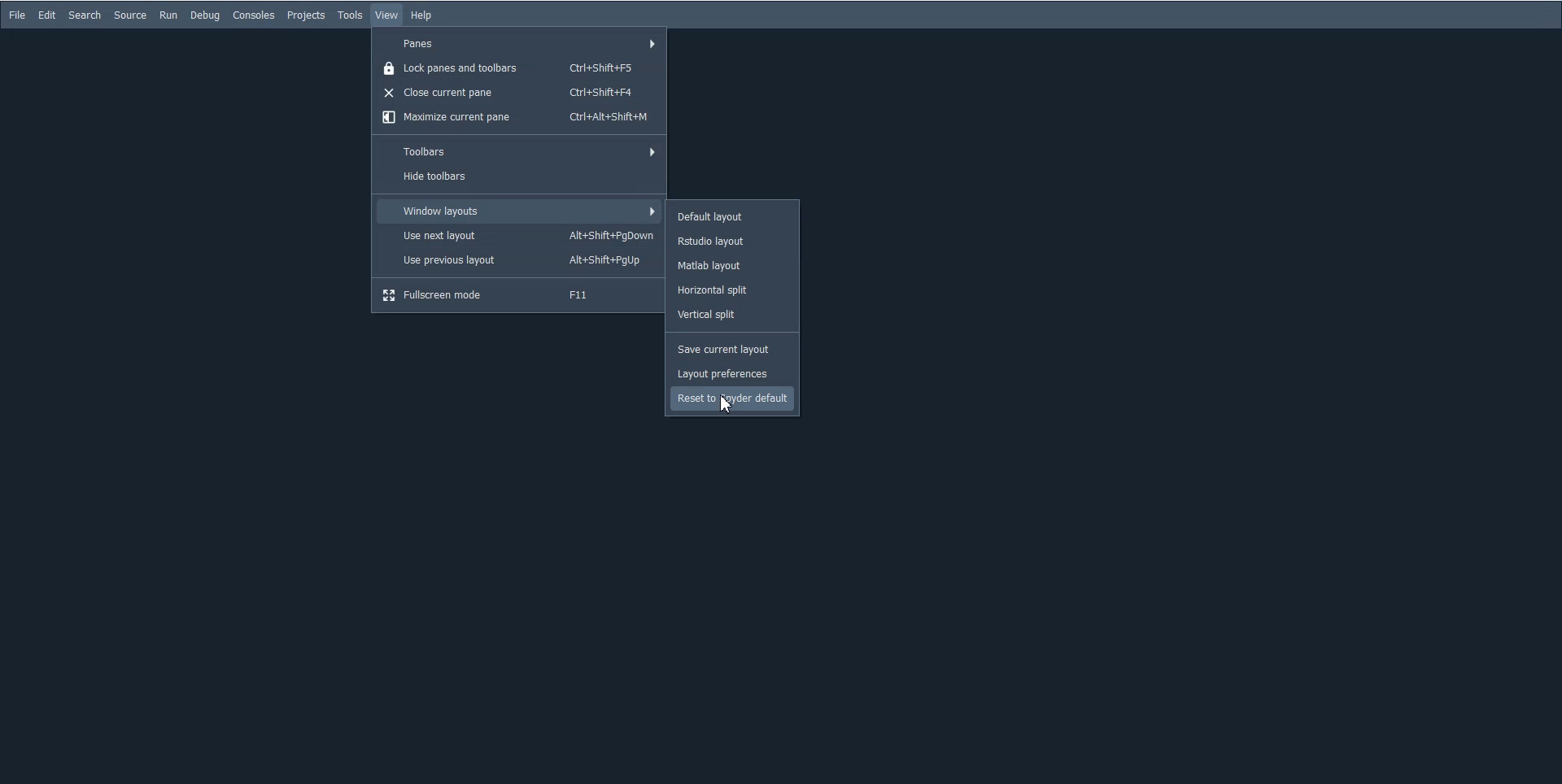  Describe the element at coordinates (518, 178) in the screenshot. I see `Hide toolbars` at that location.